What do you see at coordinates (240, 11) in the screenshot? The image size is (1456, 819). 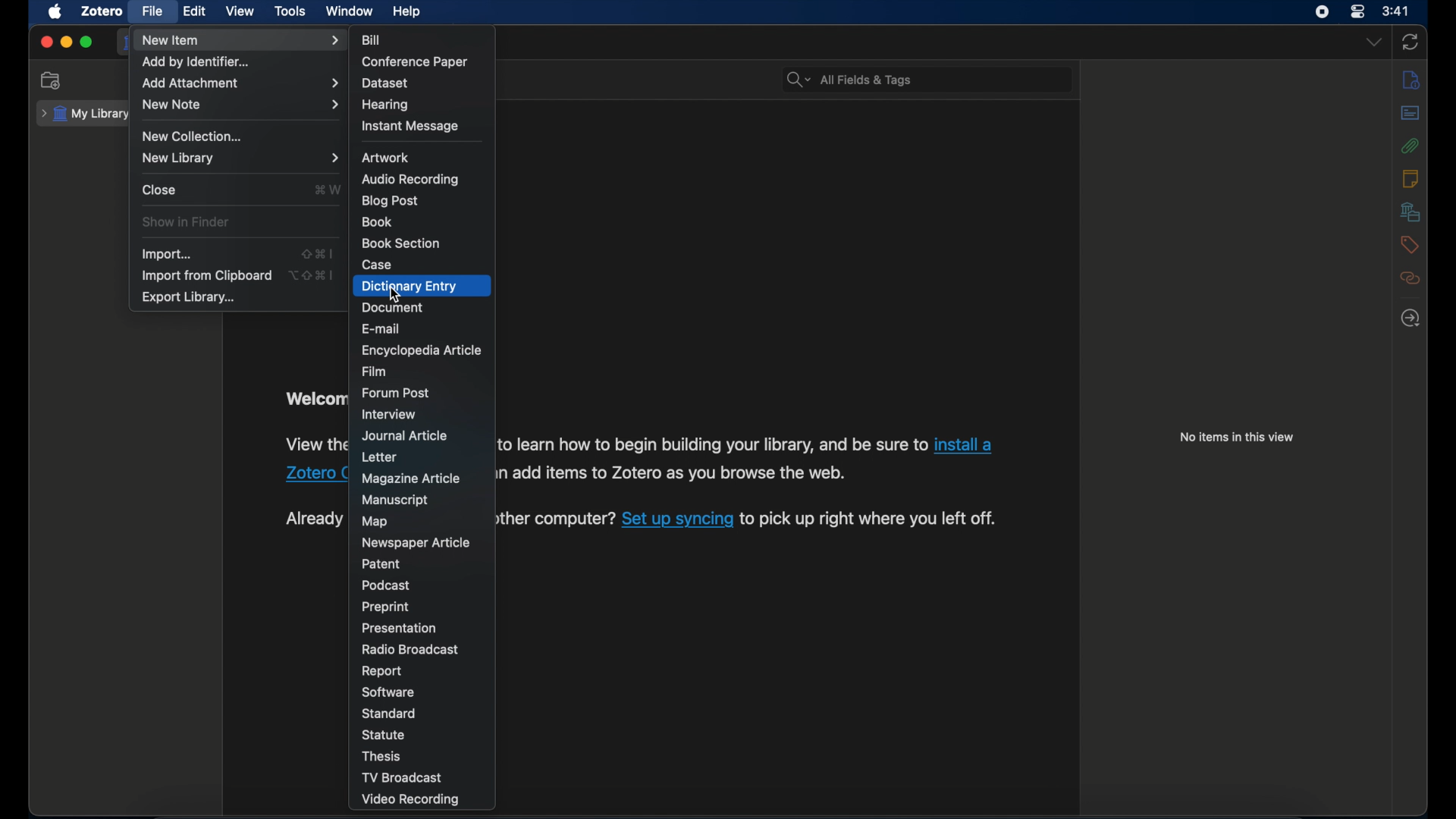 I see `view` at bounding box center [240, 11].